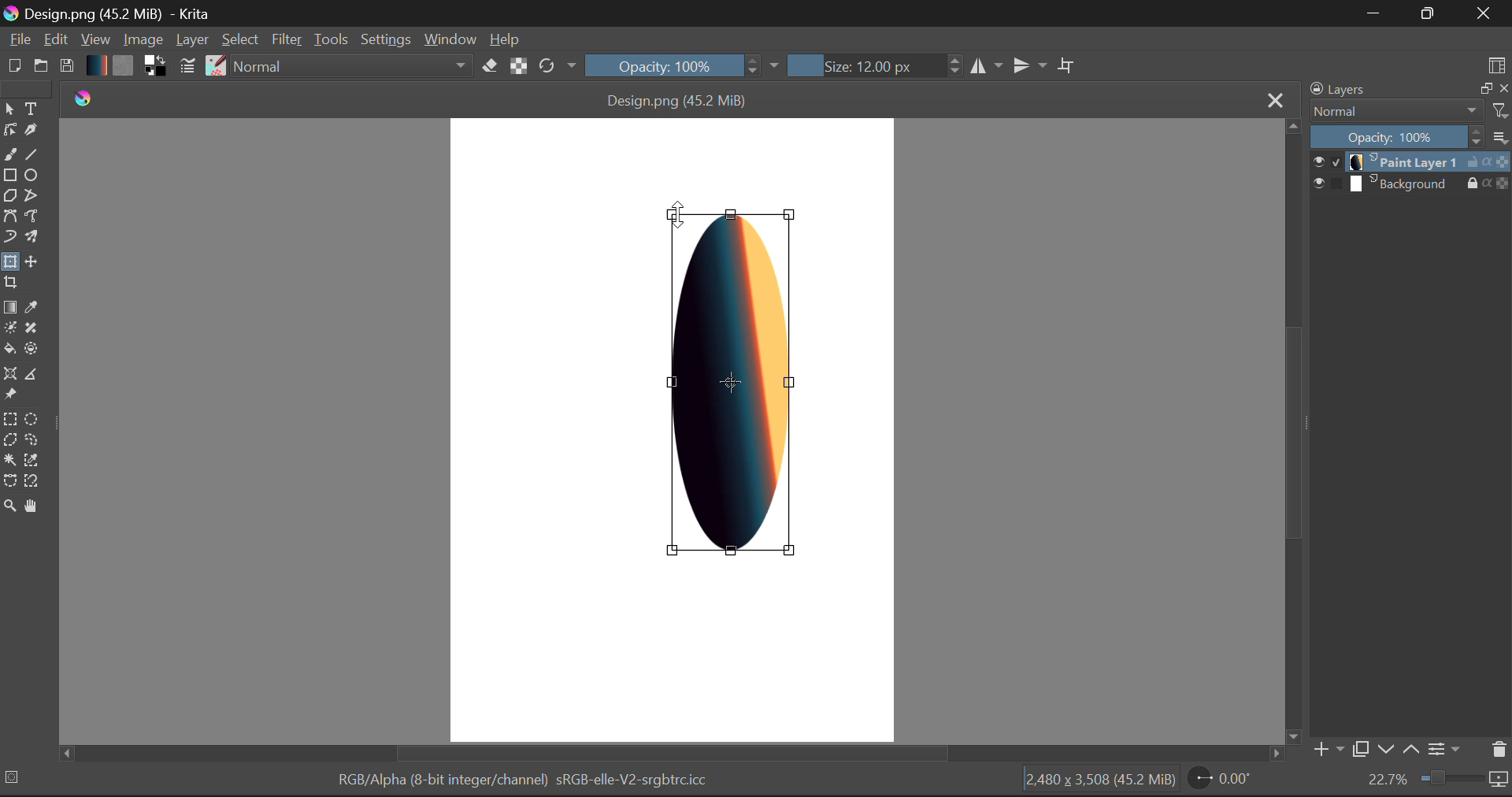  Describe the element at coordinates (30, 440) in the screenshot. I see `Freehand Selection` at that location.